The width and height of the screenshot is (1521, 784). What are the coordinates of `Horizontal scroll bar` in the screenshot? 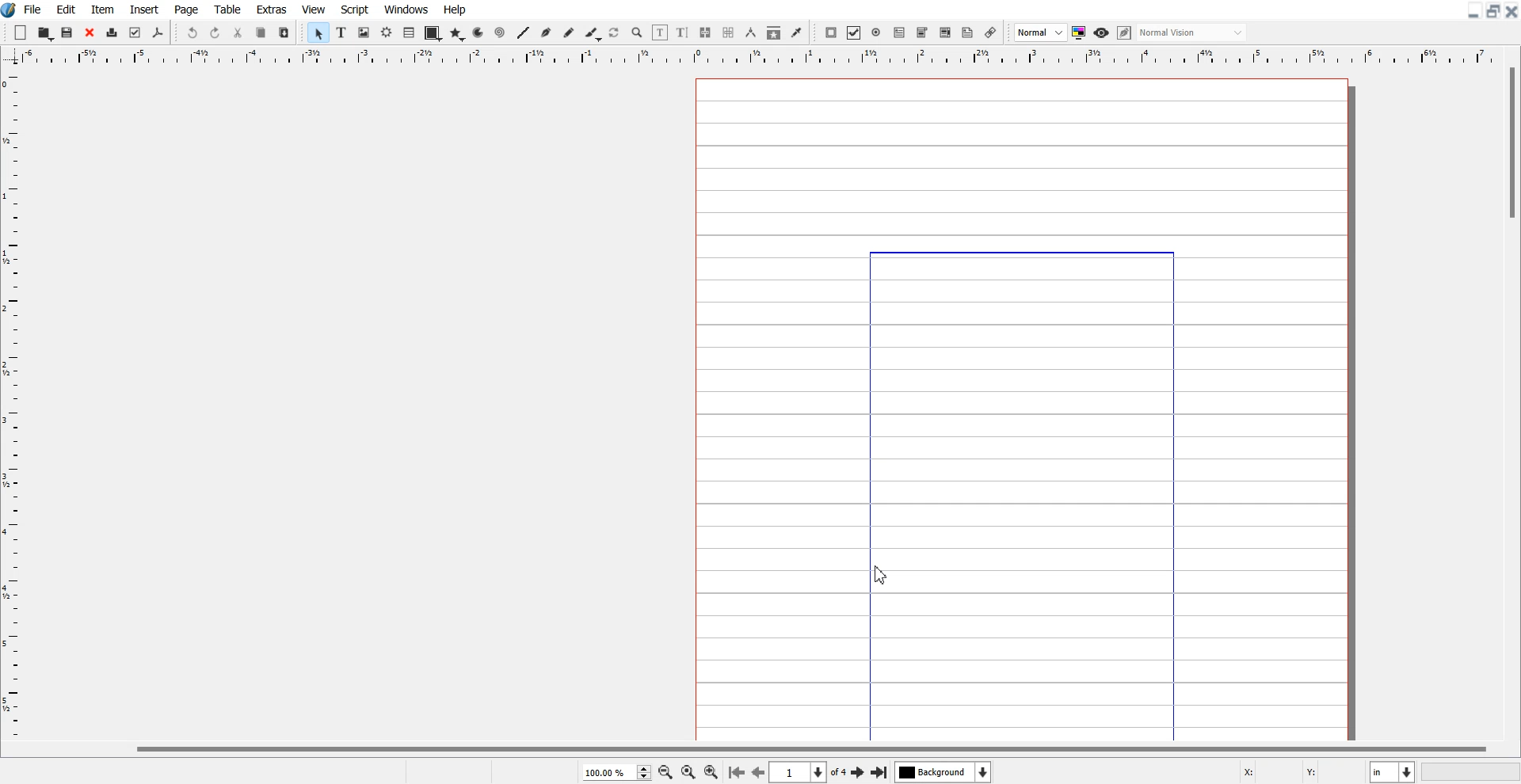 It's located at (749, 751).